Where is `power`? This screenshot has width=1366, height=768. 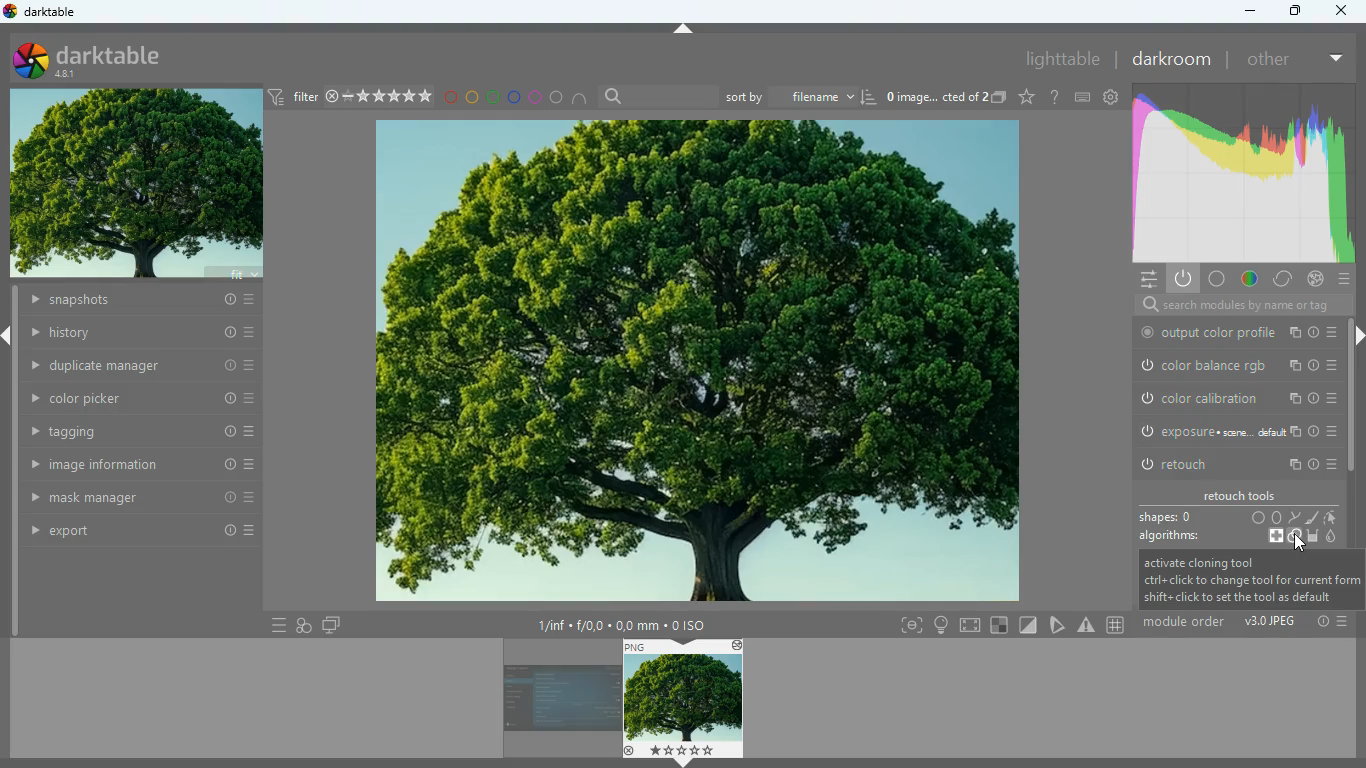 power is located at coordinates (1182, 280).